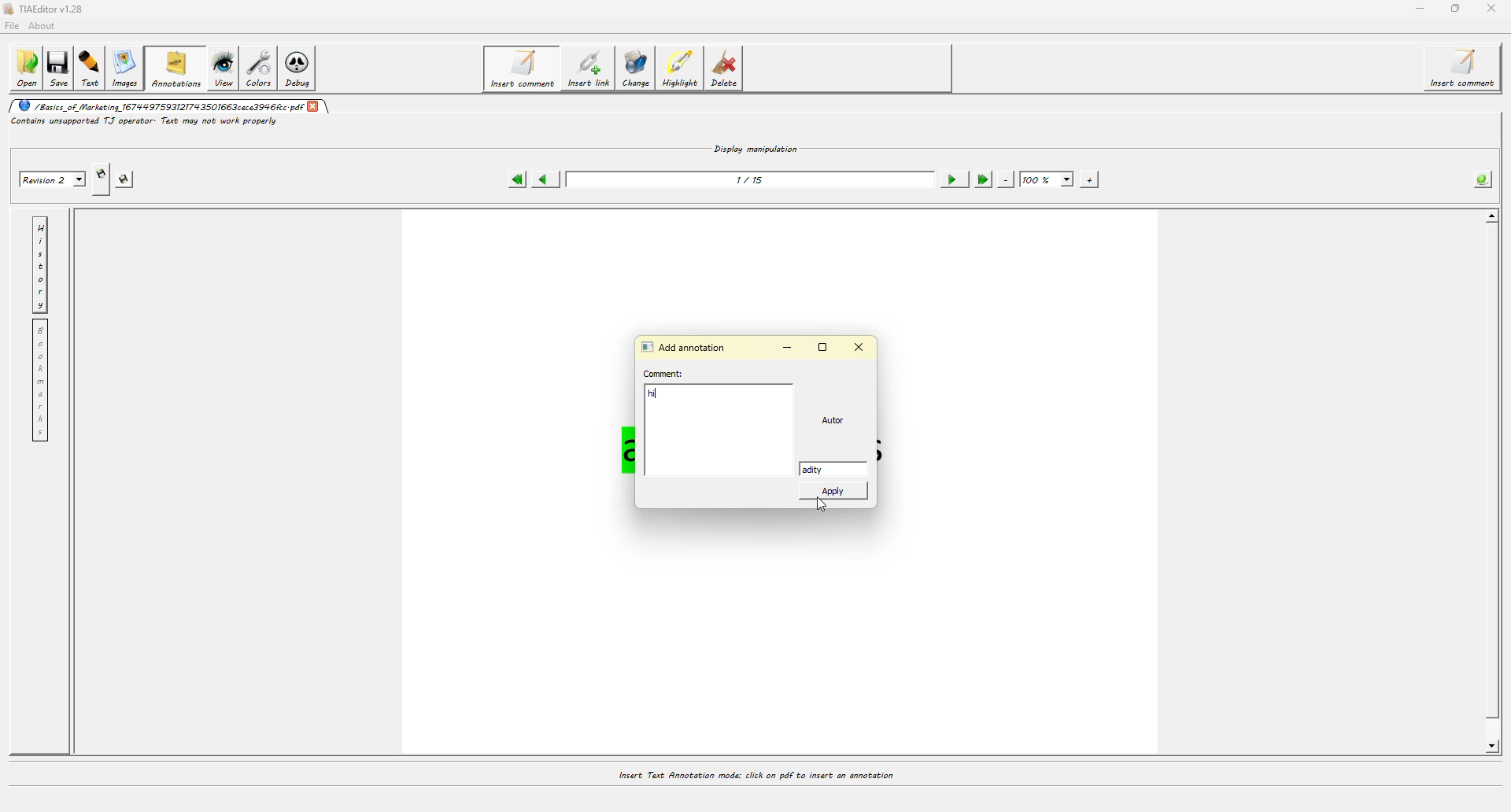 This screenshot has width=1511, height=812. I want to click on about, so click(46, 25).